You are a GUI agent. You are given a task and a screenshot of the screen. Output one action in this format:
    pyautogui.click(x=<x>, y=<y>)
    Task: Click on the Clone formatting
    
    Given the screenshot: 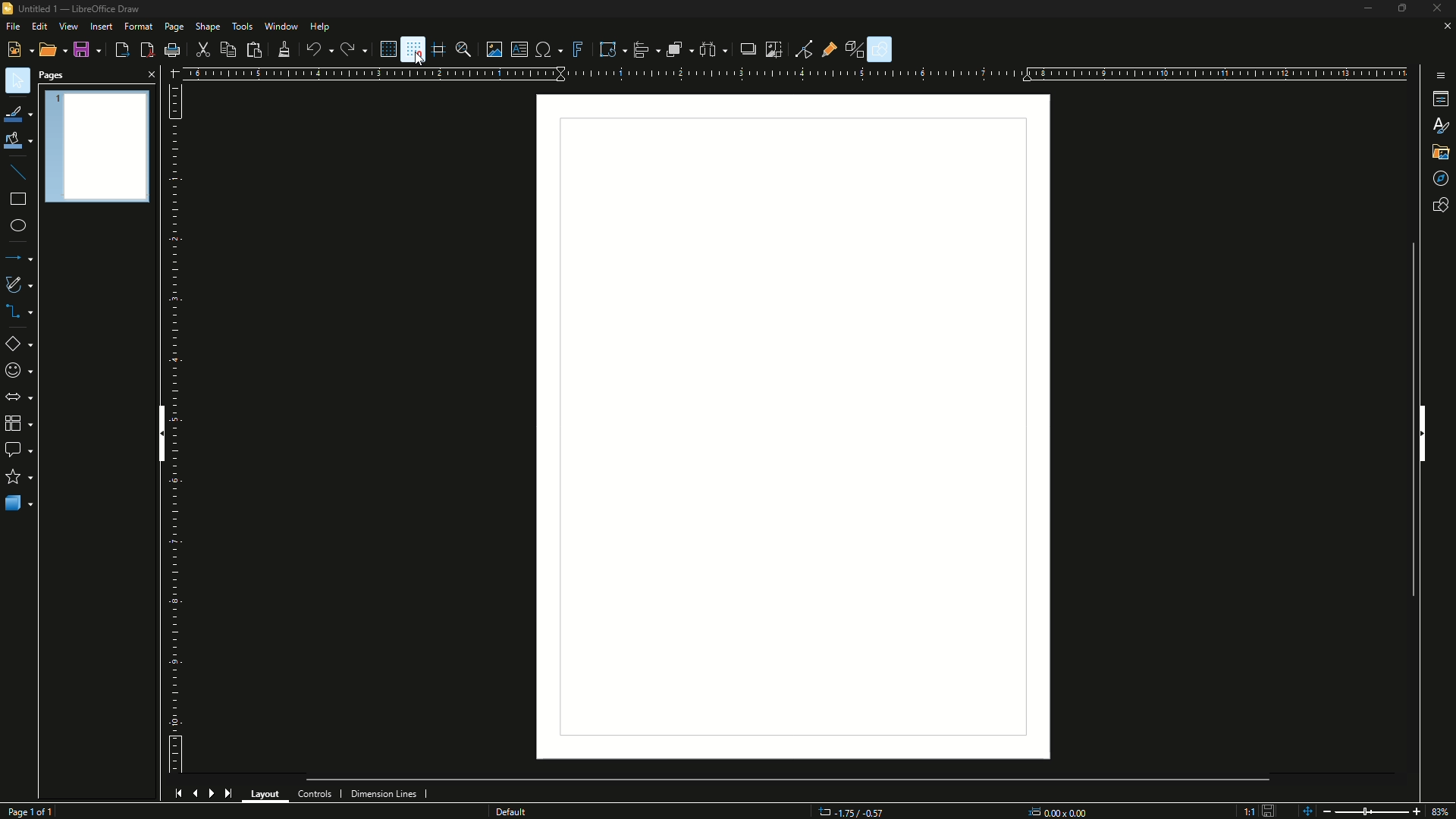 What is the action you would take?
    pyautogui.click(x=284, y=49)
    